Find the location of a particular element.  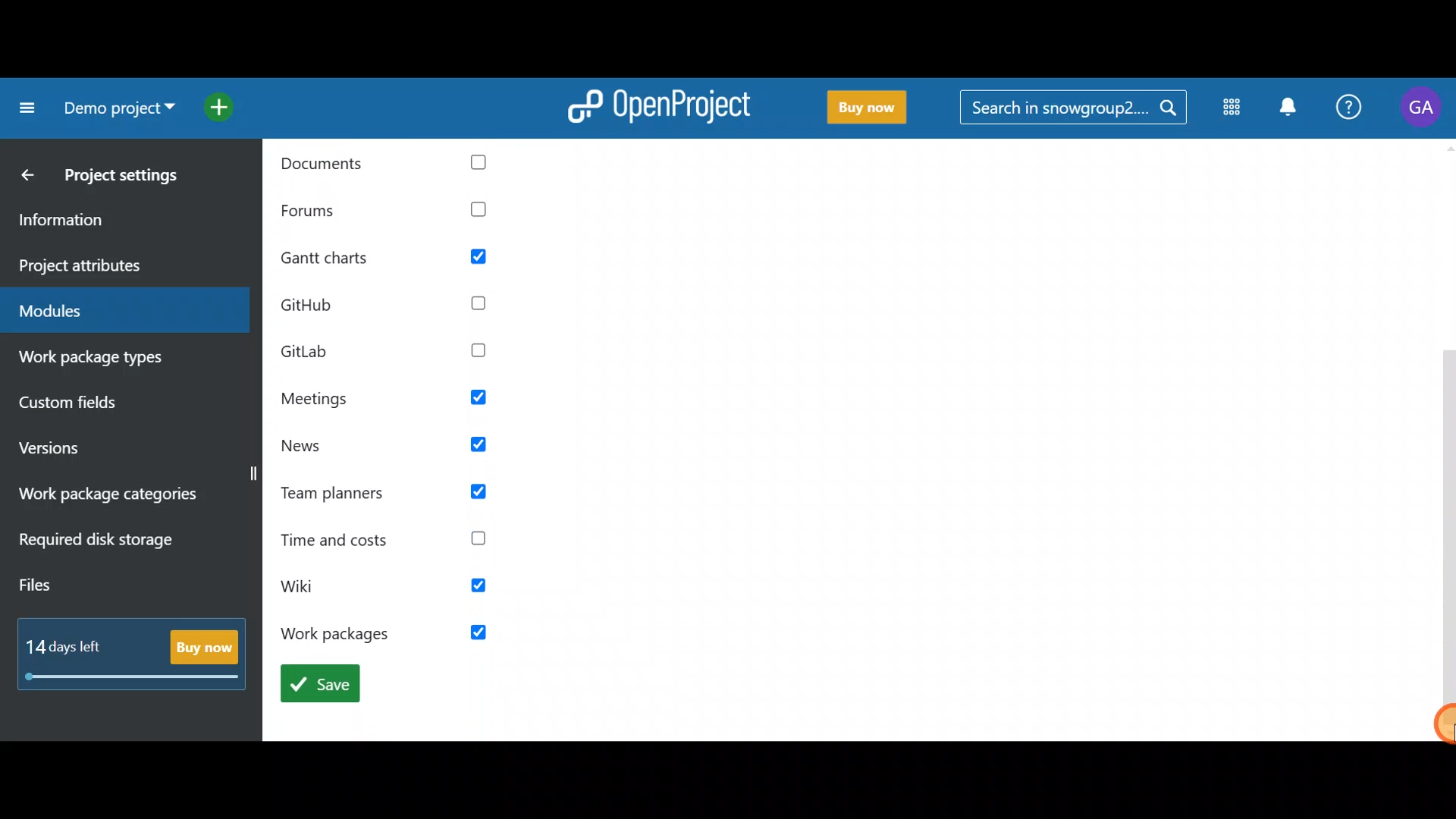

Information is located at coordinates (113, 222).